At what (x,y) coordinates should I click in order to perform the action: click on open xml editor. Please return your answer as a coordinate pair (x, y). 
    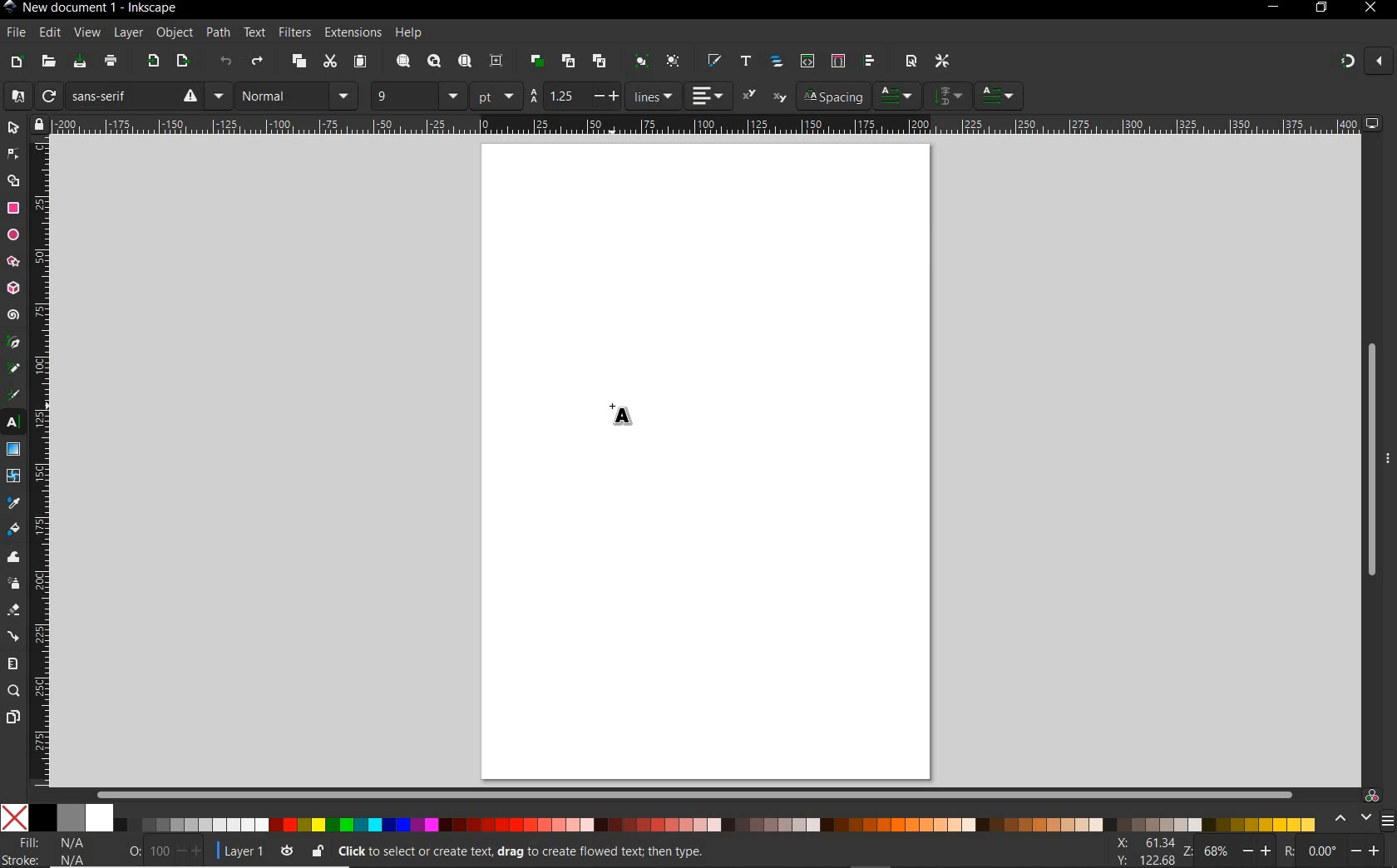
    Looking at the image, I should click on (806, 61).